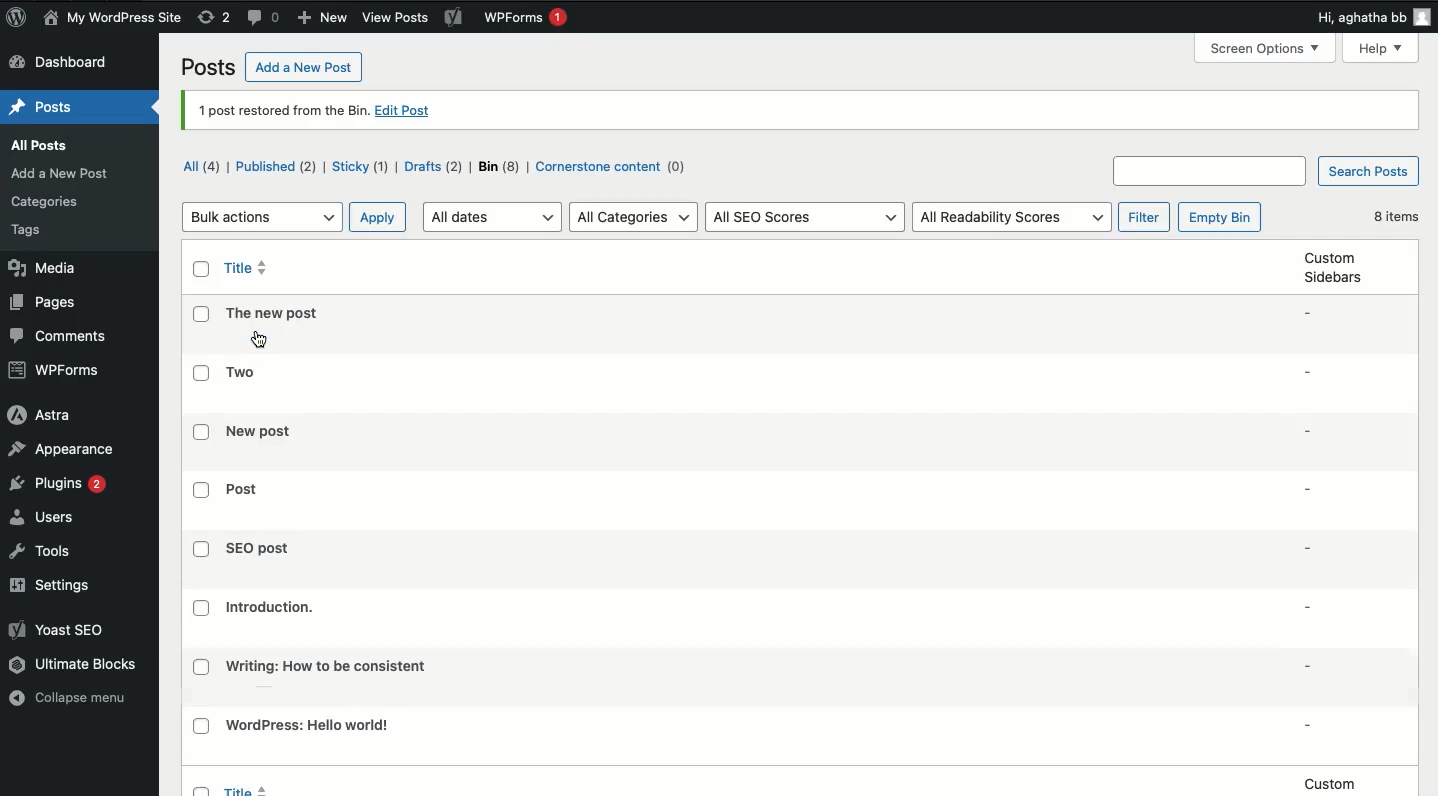 The height and width of the screenshot is (796, 1438). What do you see at coordinates (43, 416) in the screenshot?
I see `Astra` at bounding box center [43, 416].